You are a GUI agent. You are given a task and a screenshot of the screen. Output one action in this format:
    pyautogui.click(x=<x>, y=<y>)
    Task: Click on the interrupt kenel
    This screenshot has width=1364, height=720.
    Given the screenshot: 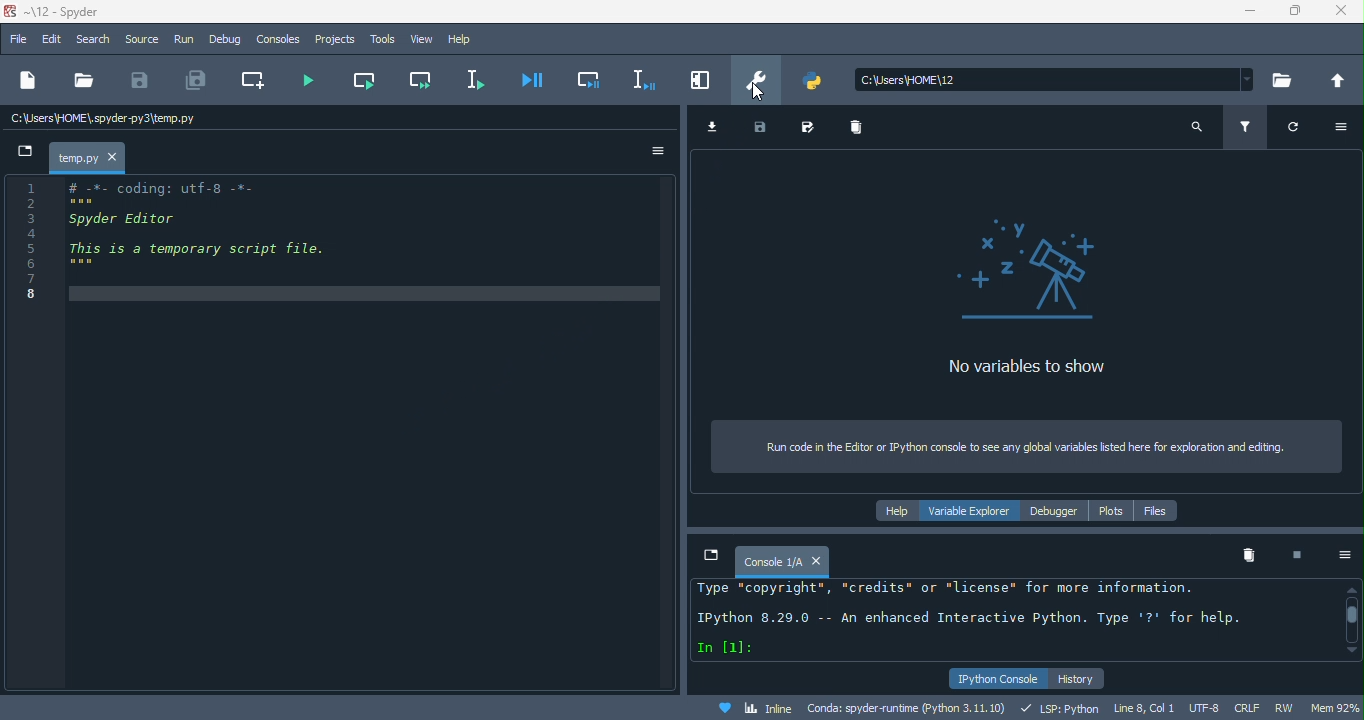 What is the action you would take?
    pyautogui.click(x=1289, y=556)
    